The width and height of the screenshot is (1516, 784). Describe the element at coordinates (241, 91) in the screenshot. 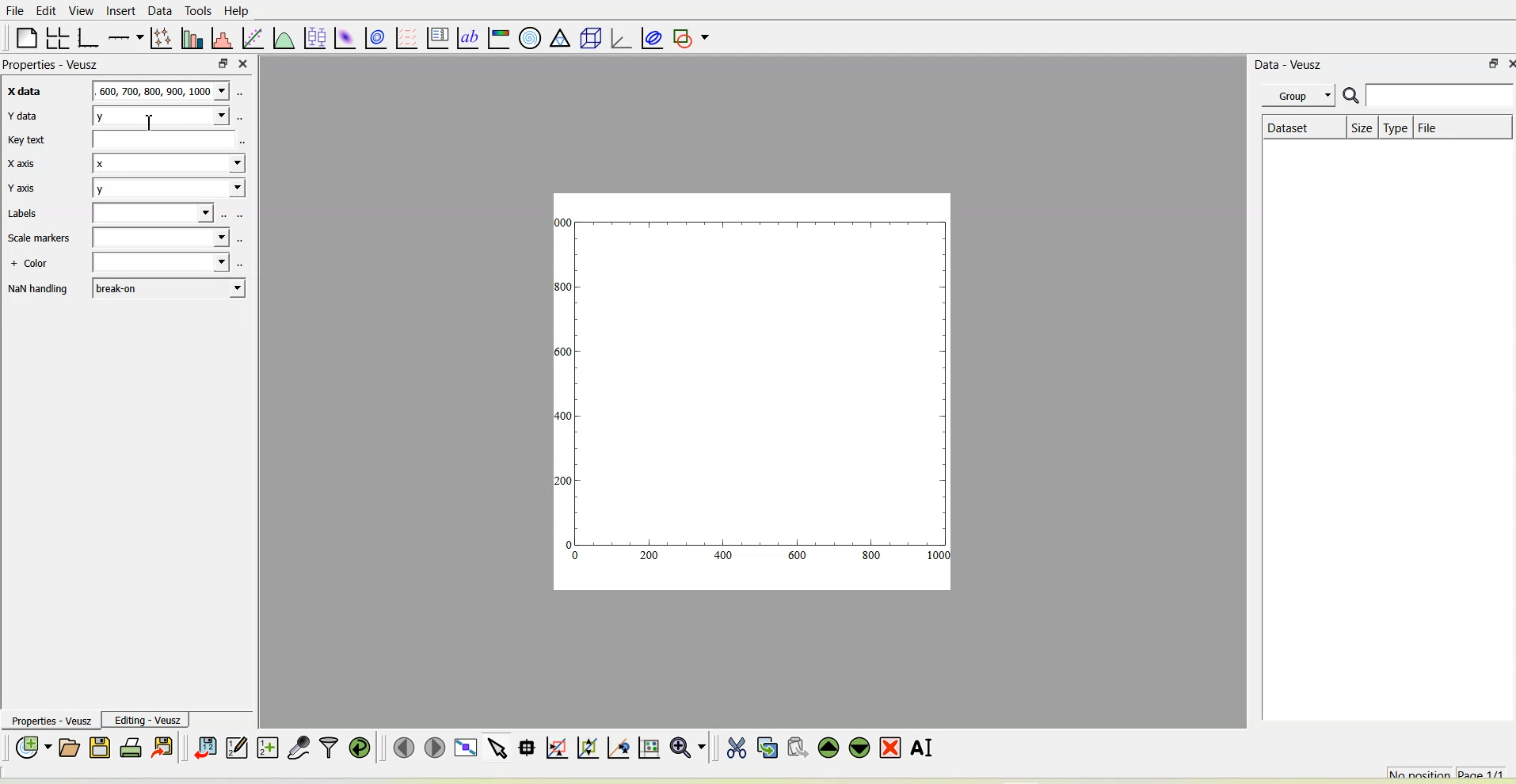

I see `select using dataset browser` at that location.